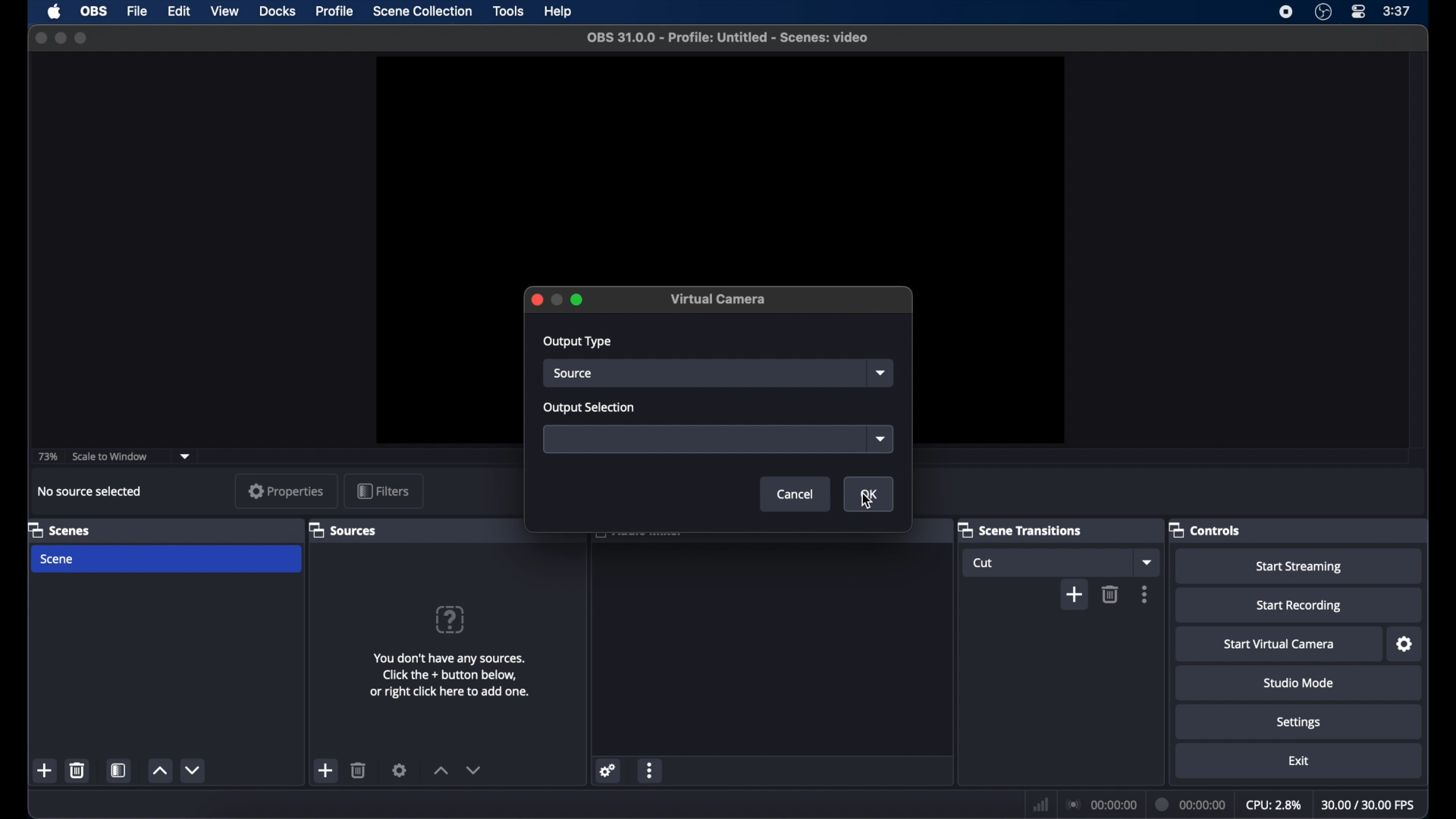  What do you see at coordinates (1192, 804) in the screenshot?
I see `duration` at bounding box center [1192, 804].